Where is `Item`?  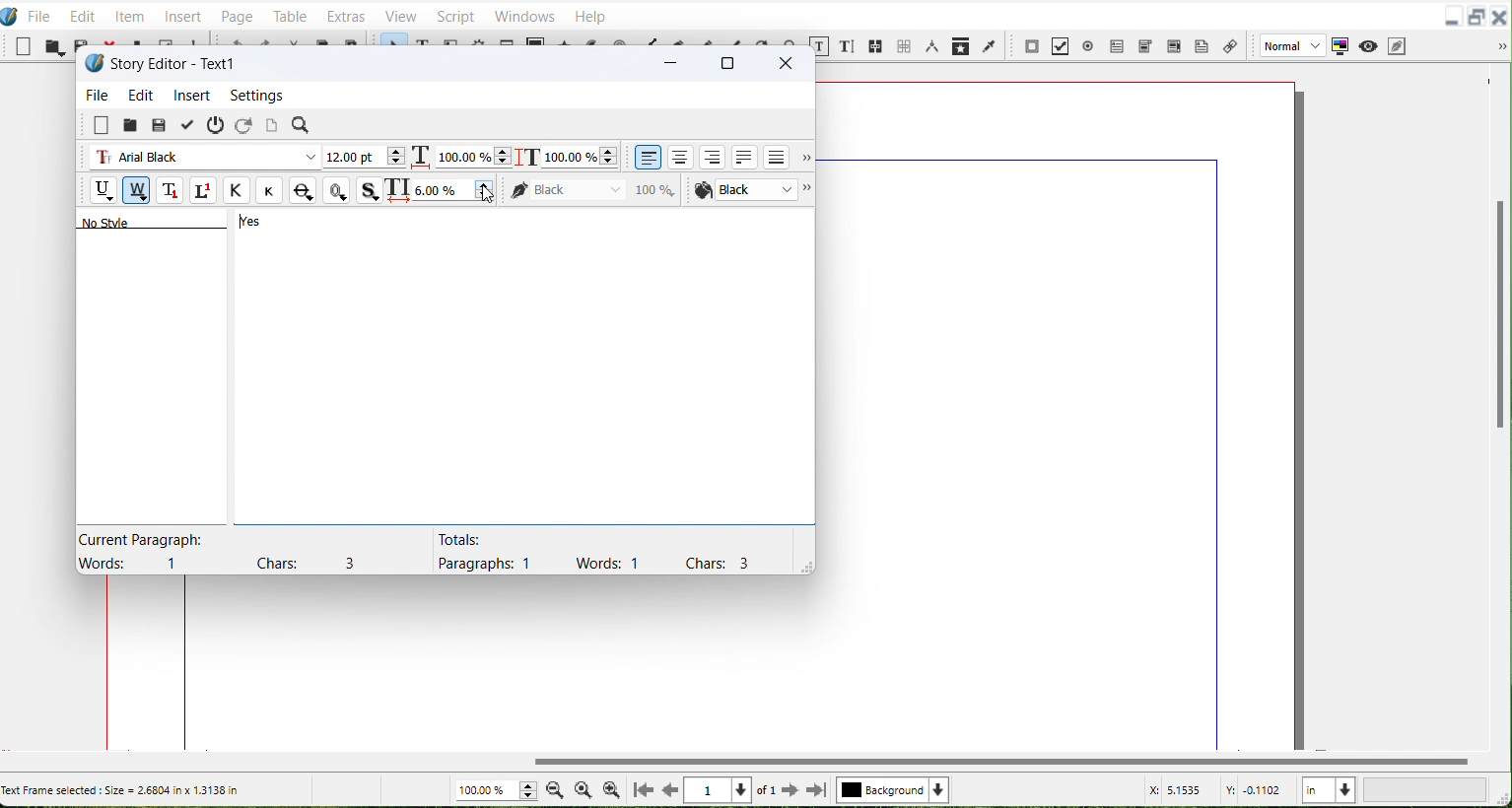
Item is located at coordinates (130, 14).